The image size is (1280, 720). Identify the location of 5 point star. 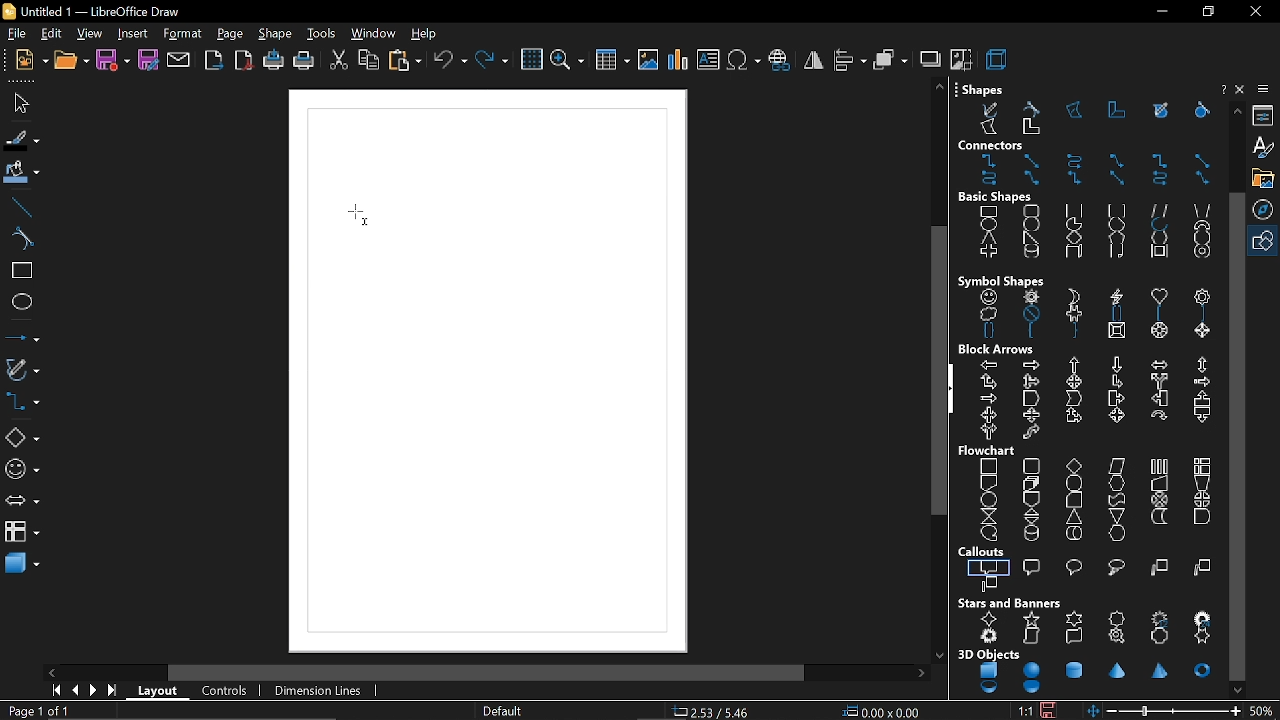
(1030, 619).